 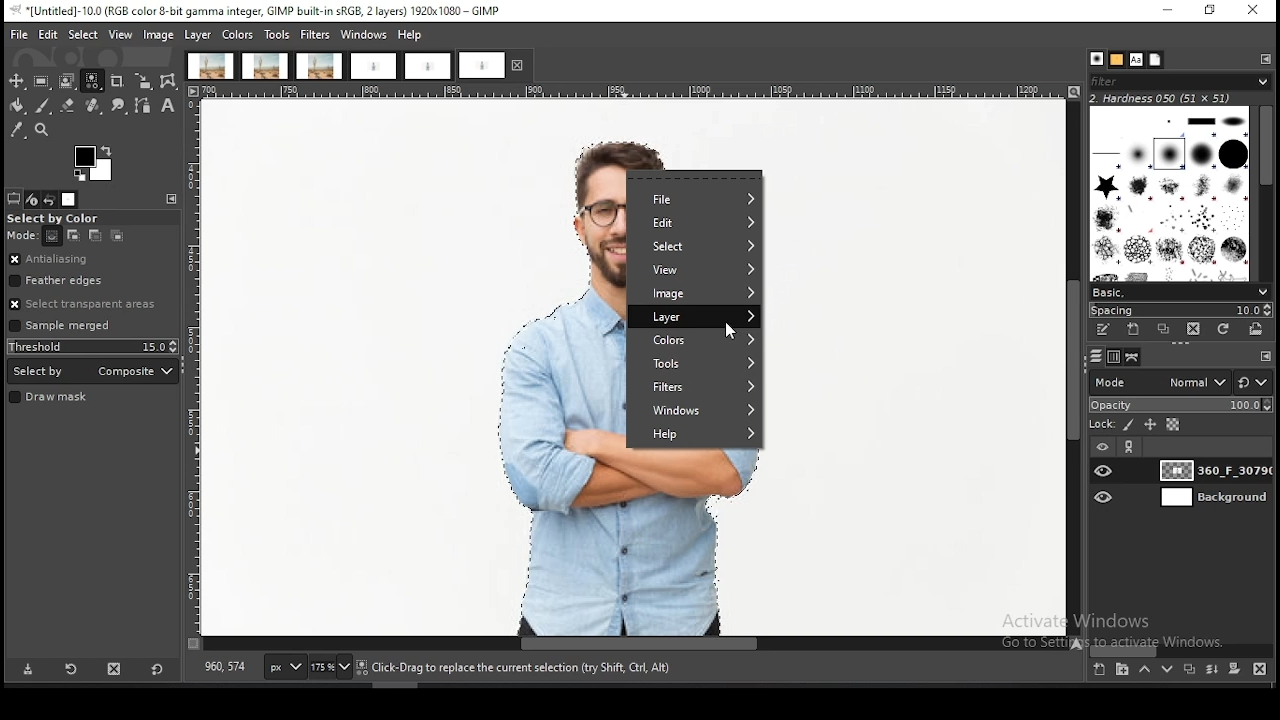 I want to click on lock alpha channel, so click(x=1173, y=425).